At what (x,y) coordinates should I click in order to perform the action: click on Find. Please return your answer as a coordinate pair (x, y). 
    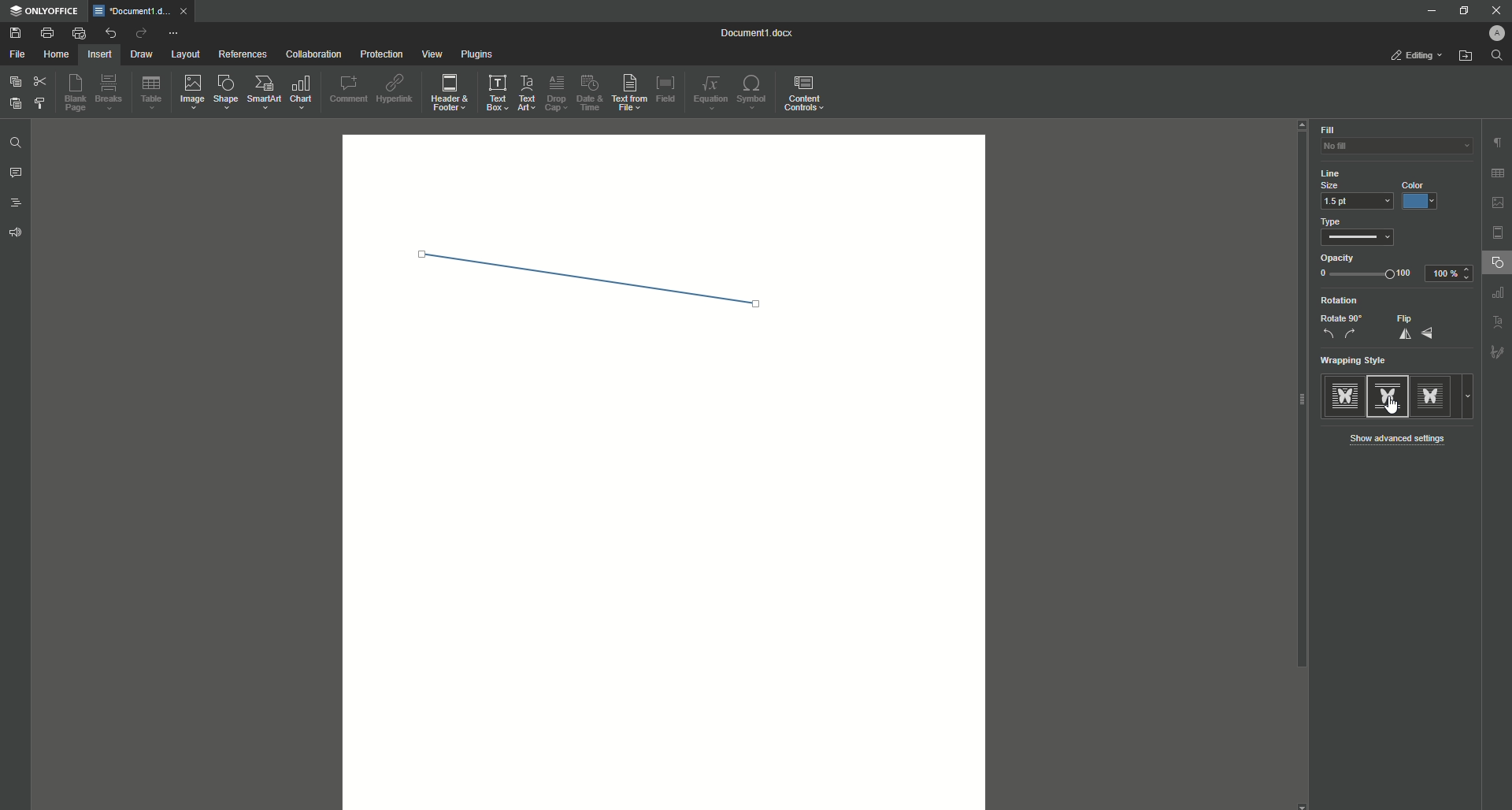
    Looking at the image, I should click on (16, 143).